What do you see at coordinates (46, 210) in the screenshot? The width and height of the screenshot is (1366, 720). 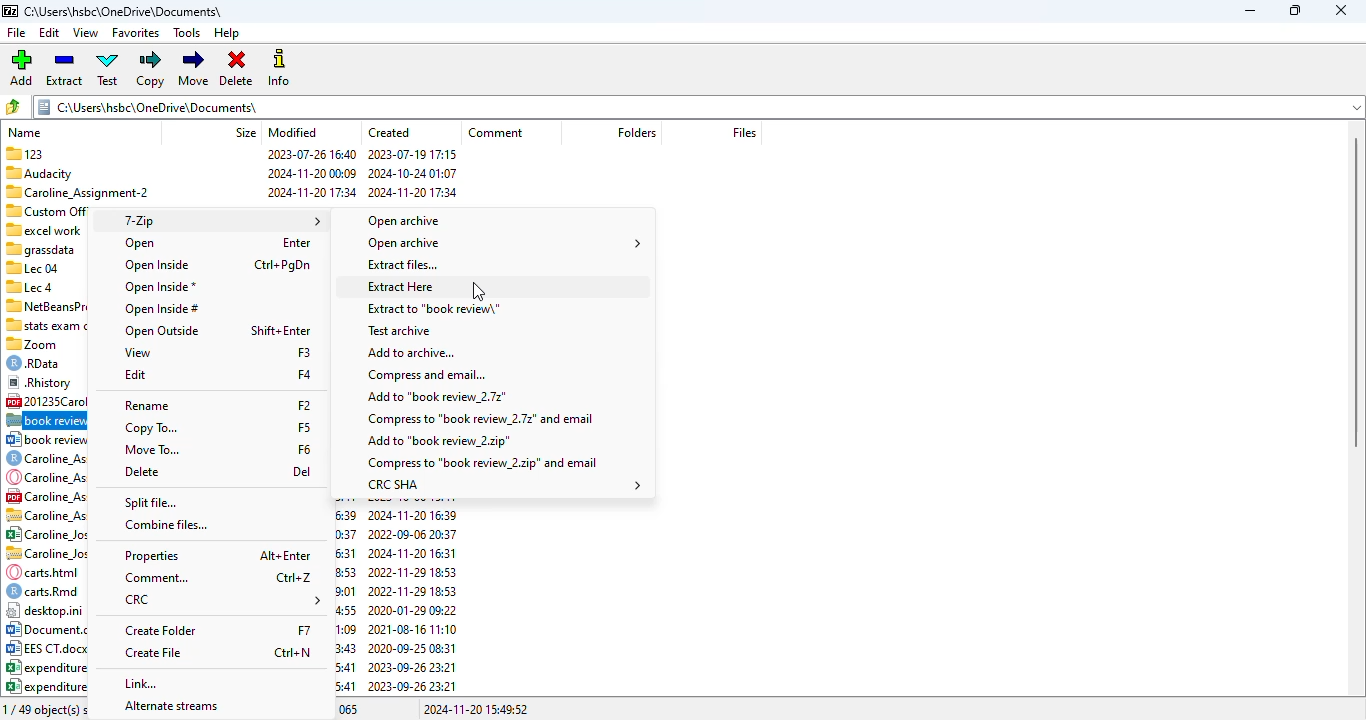 I see `Custom Office Templates` at bounding box center [46, 210].